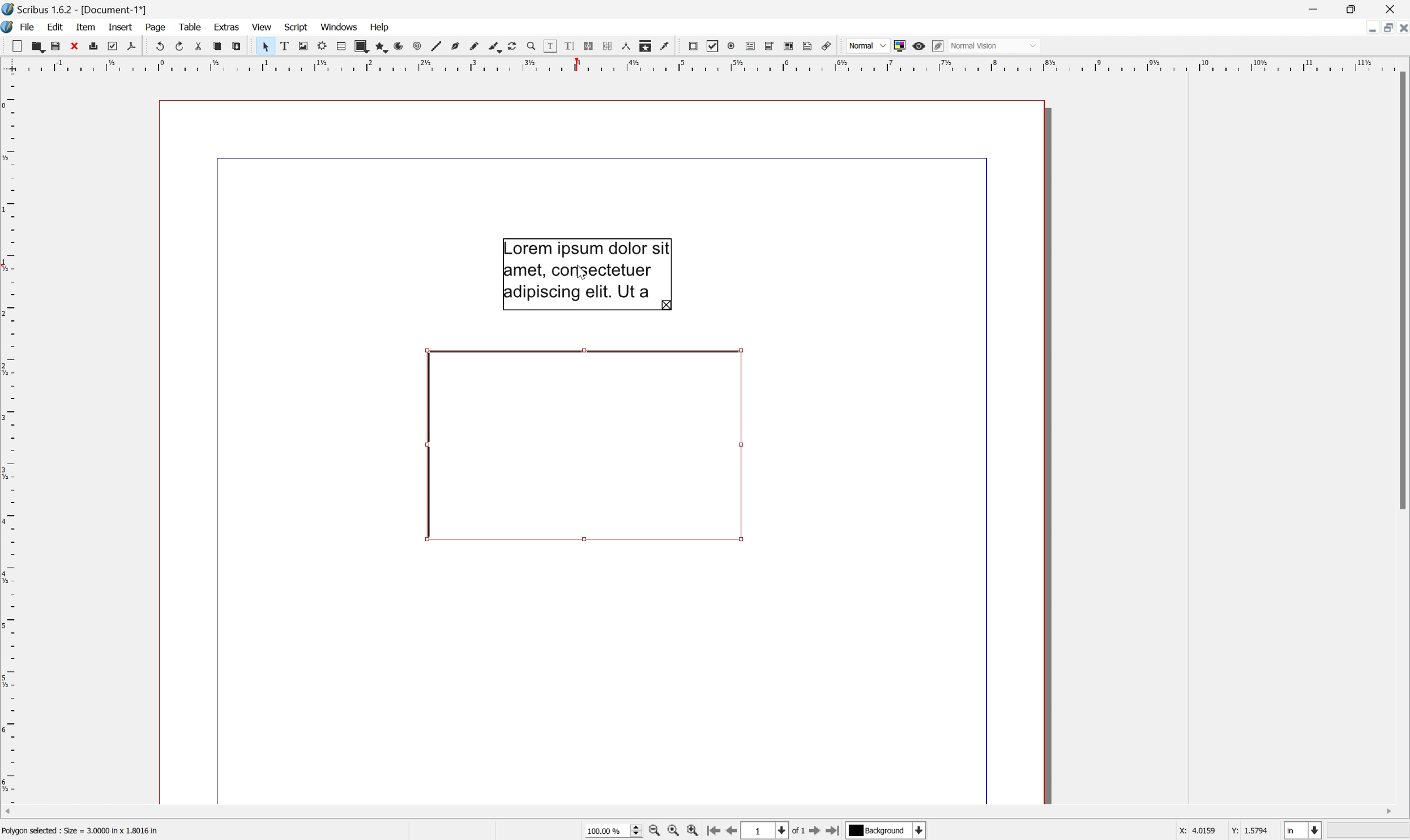 Image resolution: width=1410 pixels, height=840 pixels. I want to click on Rotate item, so click(516, 46).